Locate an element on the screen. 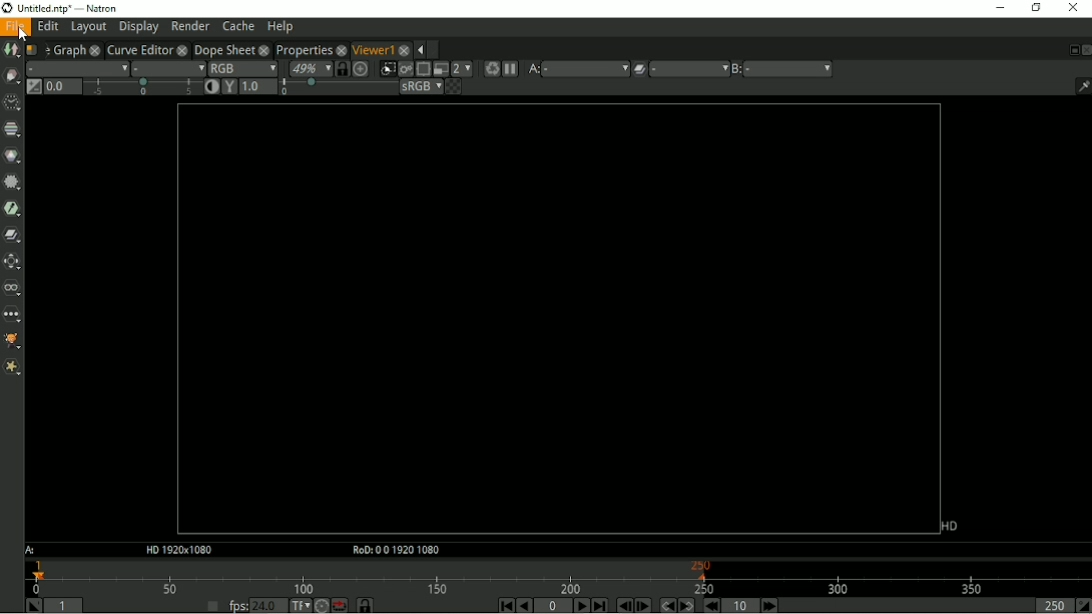 The height and width of the screenshot is (614, 1092). Proxy mode is located at coordinates (439, 68).